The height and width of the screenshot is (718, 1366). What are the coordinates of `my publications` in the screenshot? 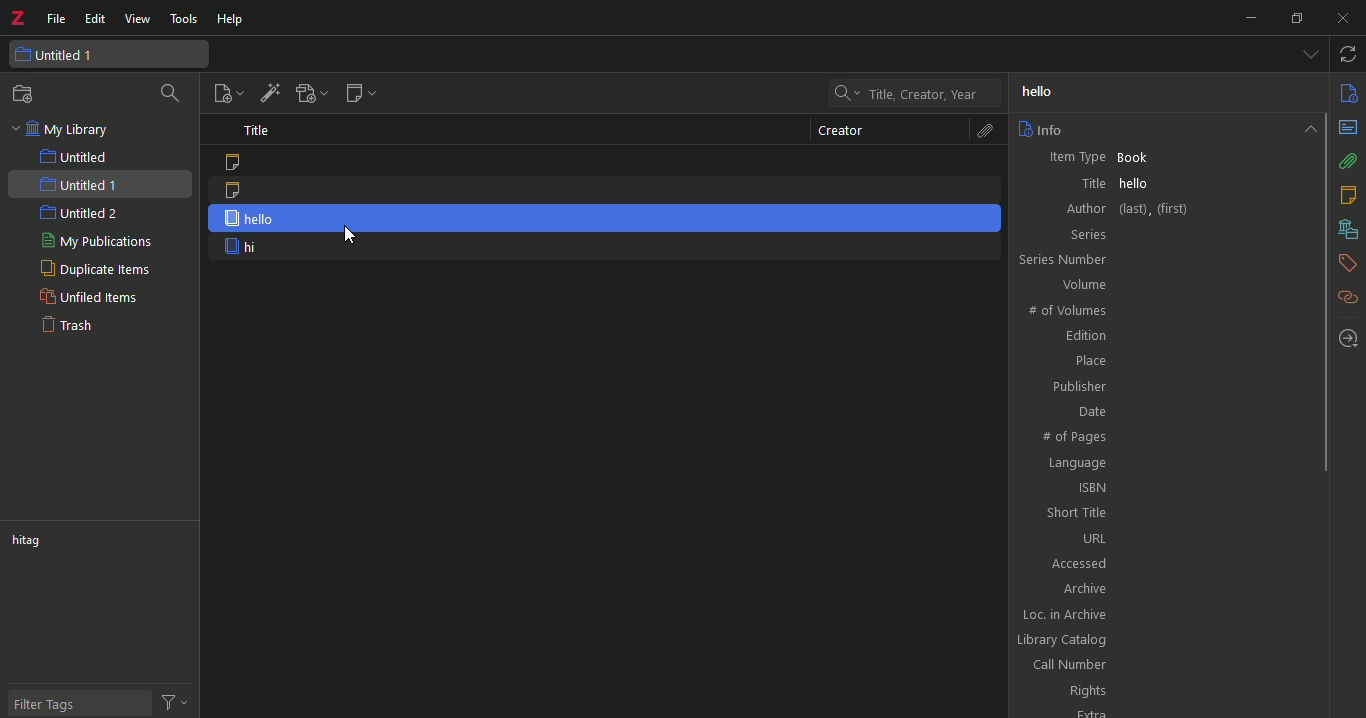 It's located at (98, 241).